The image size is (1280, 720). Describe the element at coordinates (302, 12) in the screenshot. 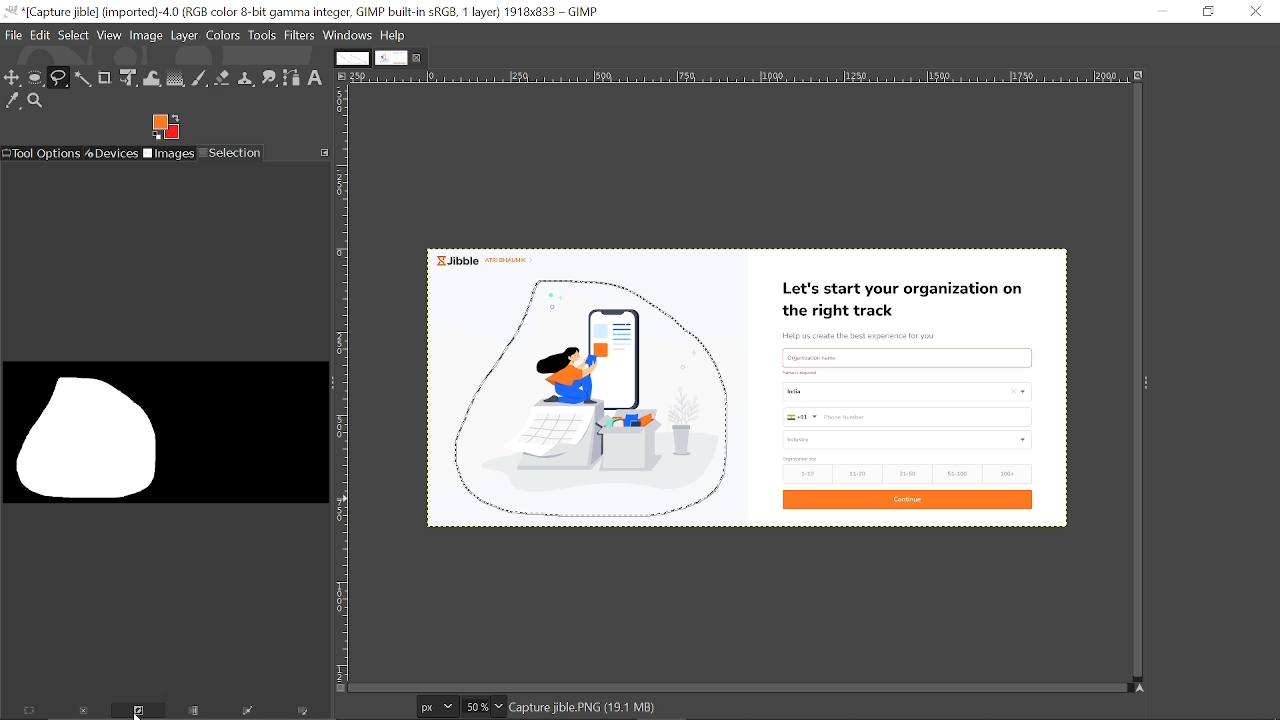

I see `Current window` at that location.